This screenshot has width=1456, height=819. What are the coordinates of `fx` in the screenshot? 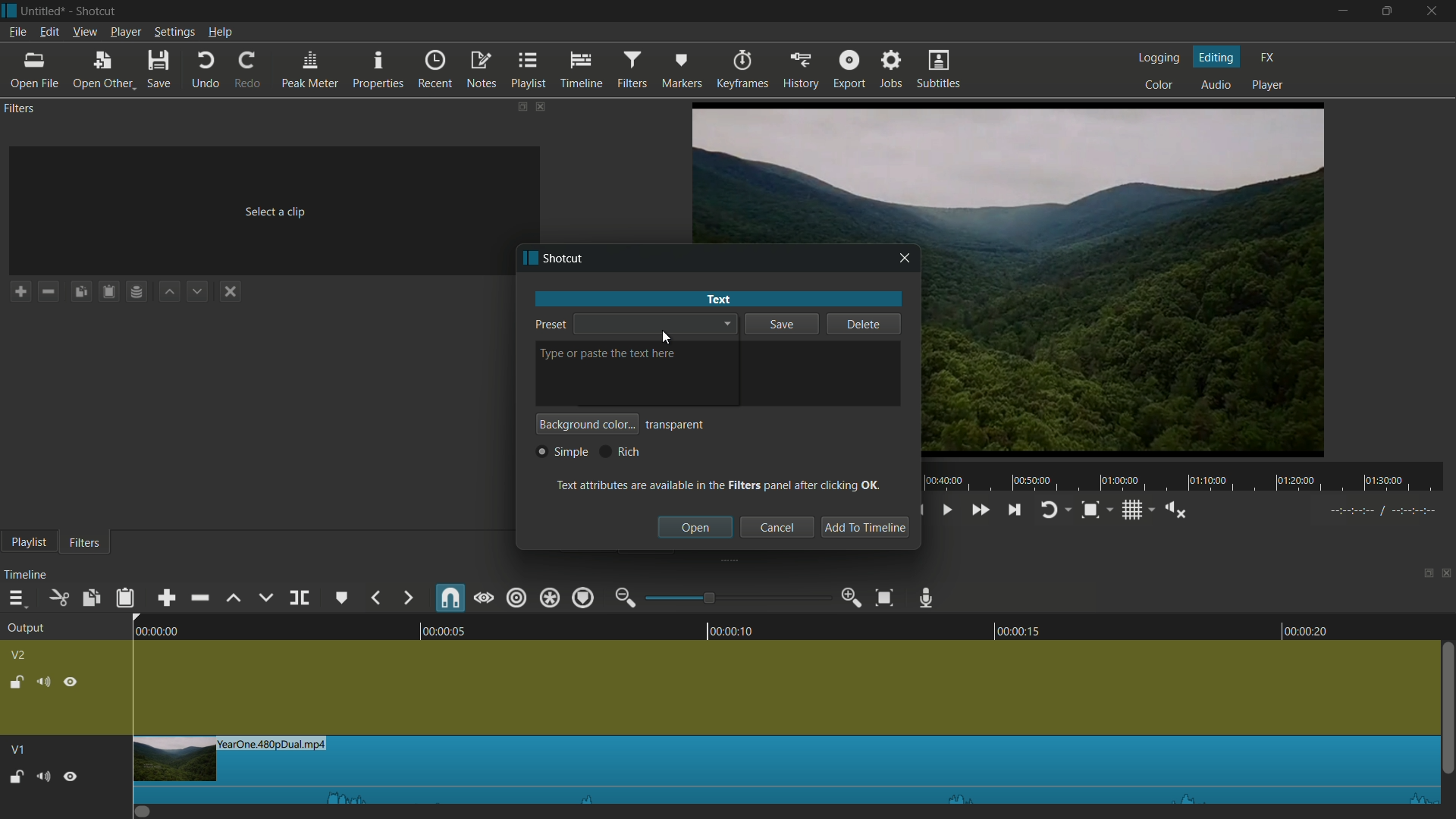 It's located at (1269, 58).